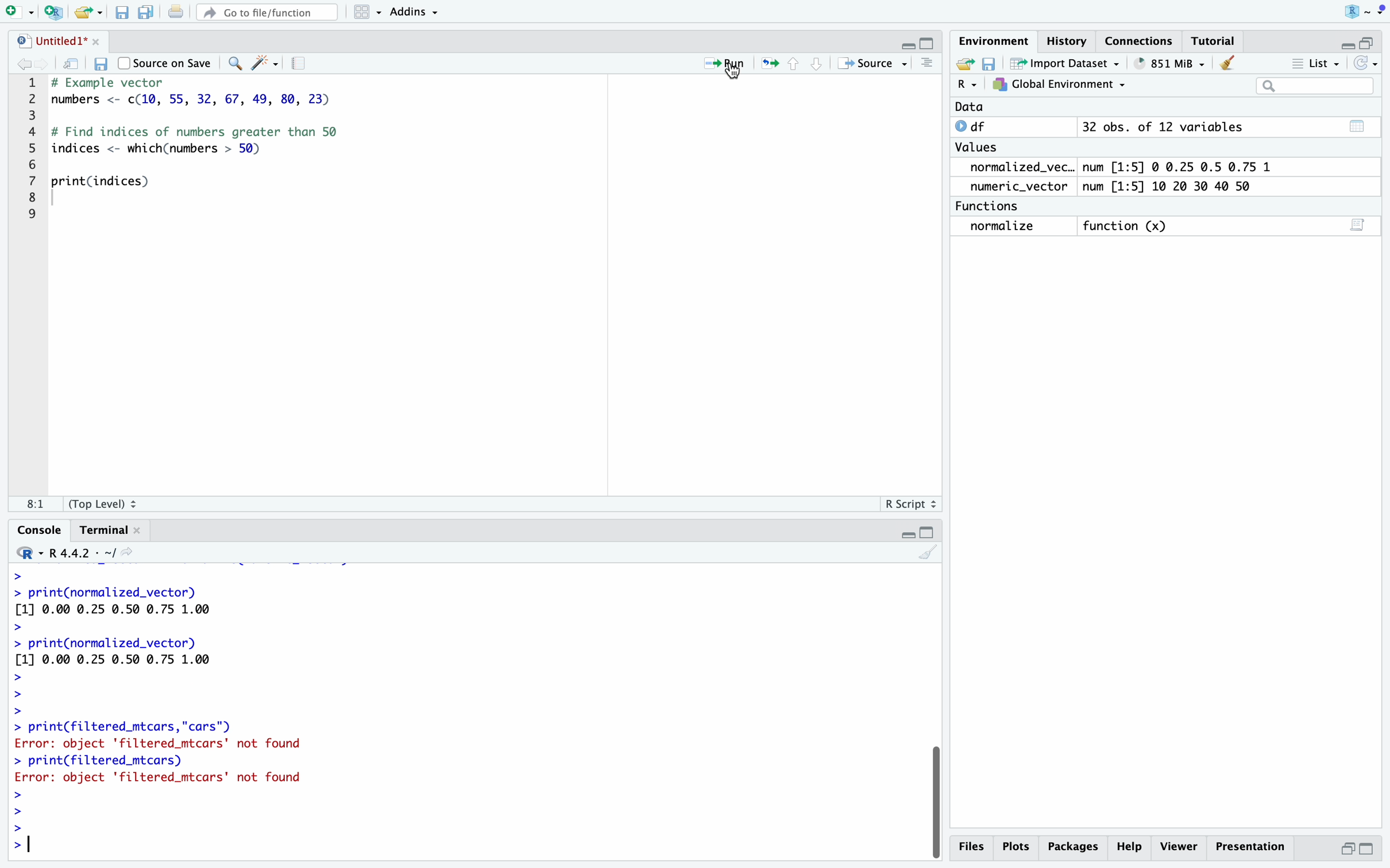 The height and width of the screenshot is (868, 1390). What do you see at coordinates (265, 13) in the screenshot?
I see `Go to file/function` at bounding box center [265, 13].